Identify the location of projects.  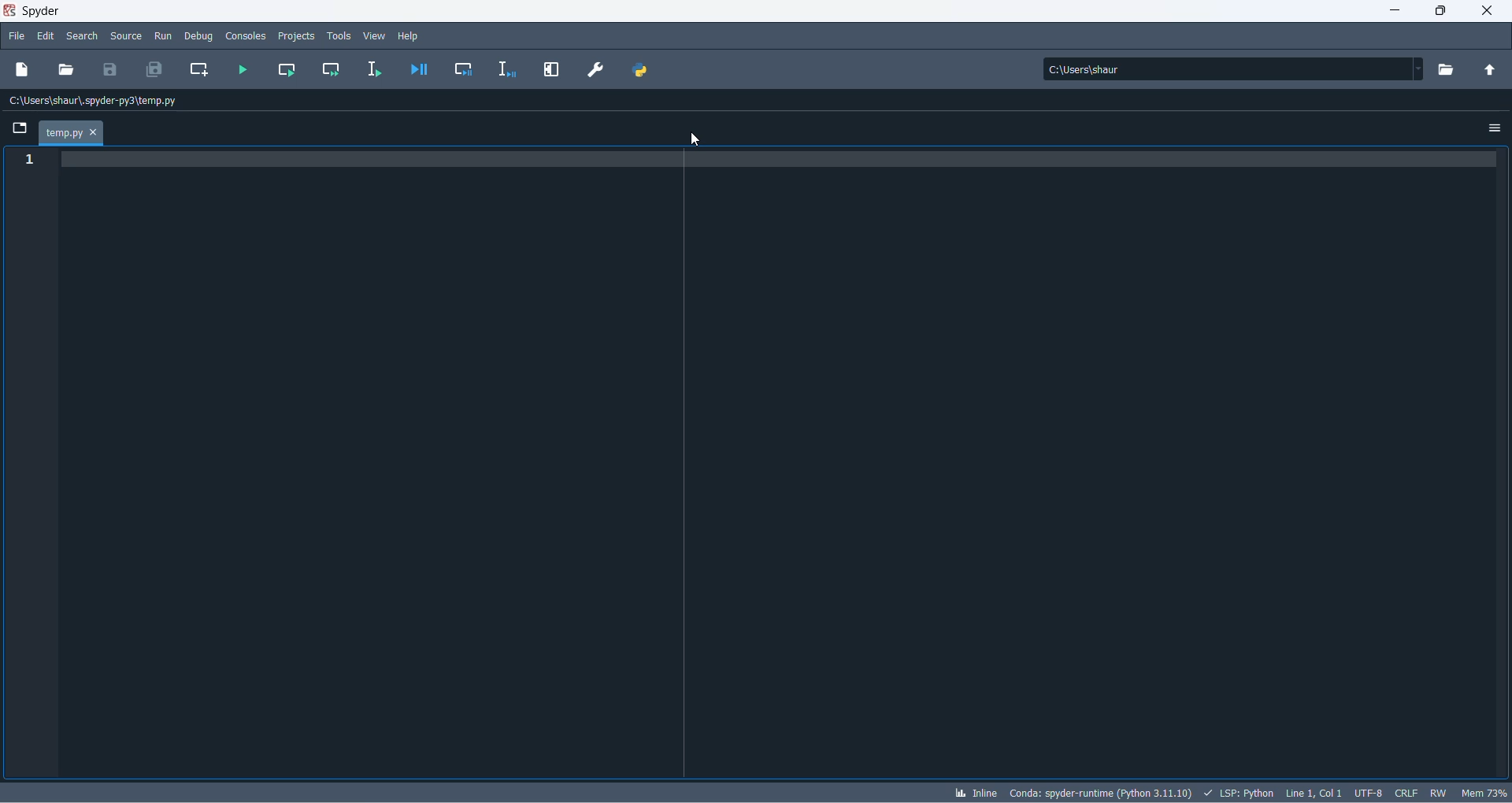
(295, 36).